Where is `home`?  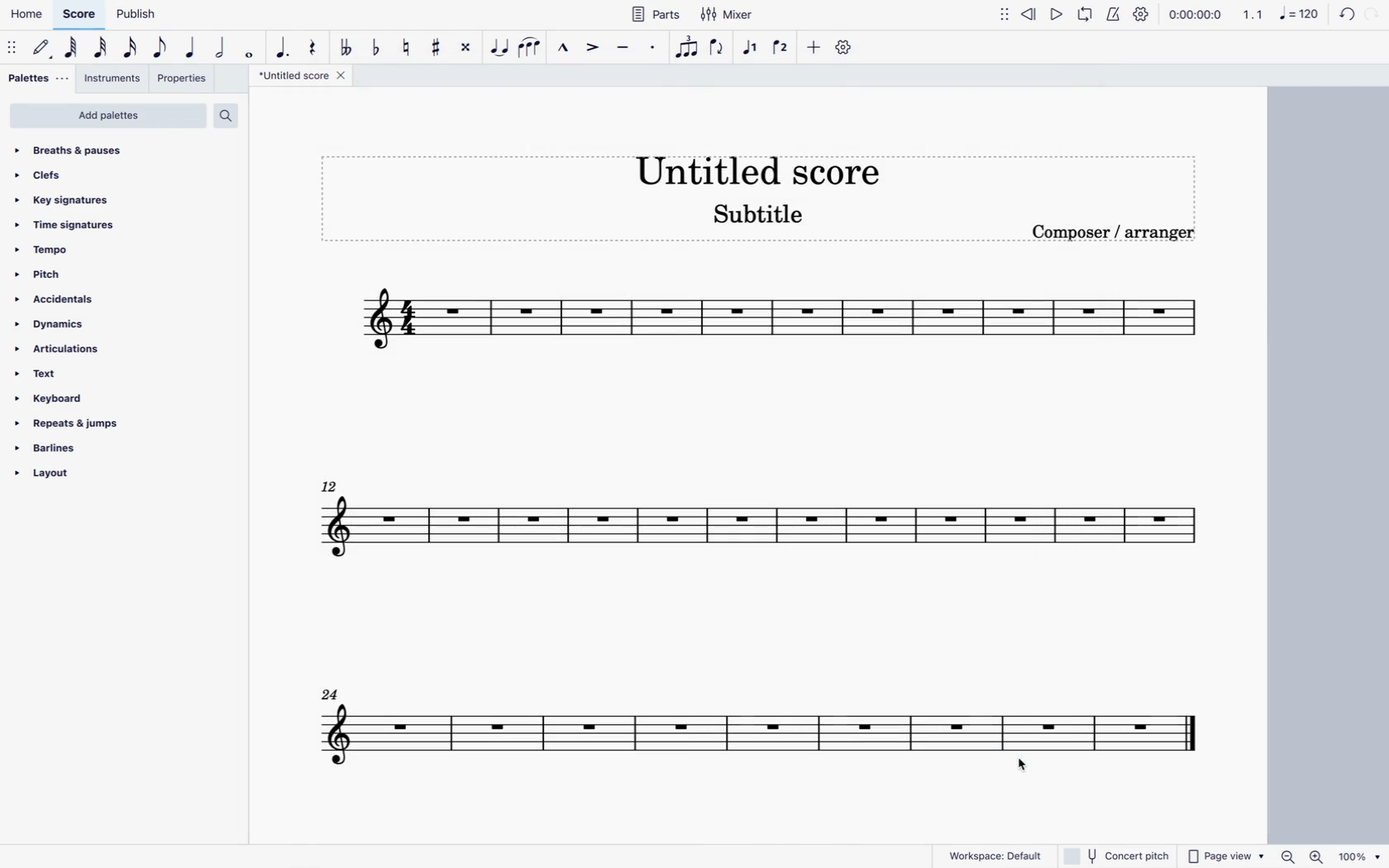
home is located at coordinates (27, 14).